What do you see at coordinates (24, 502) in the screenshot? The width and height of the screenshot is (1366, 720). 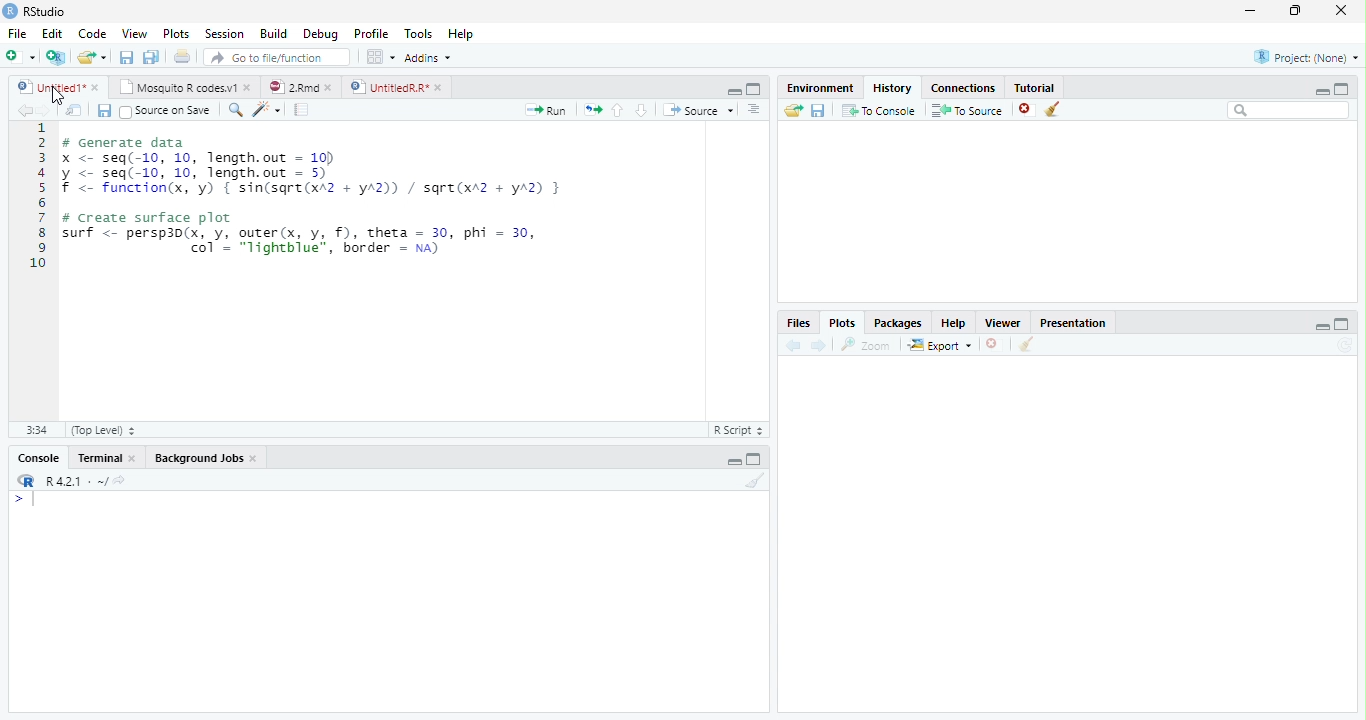 I see `New line` at bounding box center [24, 502].